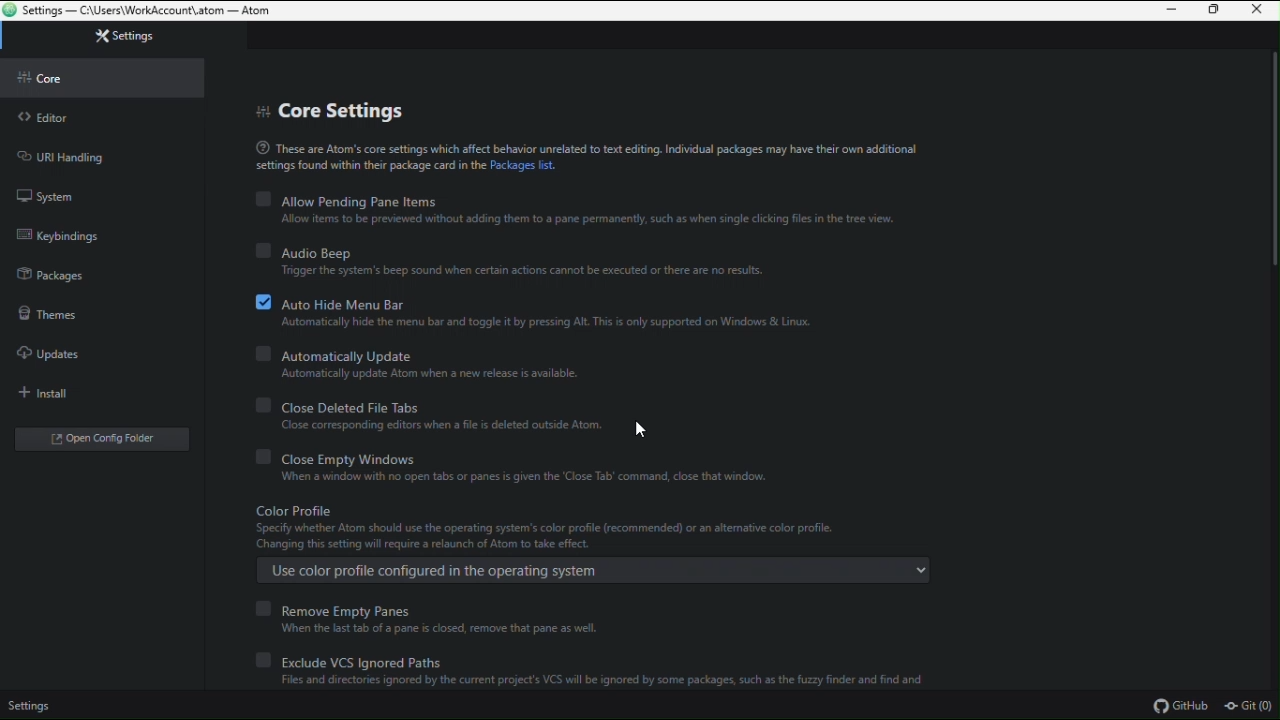  What do you see at coordinates (138, 11) in the screenshot?
I see `Settings — C:\Users\WorkAccount\.atom — Atom` at bounding box center [138, 11].